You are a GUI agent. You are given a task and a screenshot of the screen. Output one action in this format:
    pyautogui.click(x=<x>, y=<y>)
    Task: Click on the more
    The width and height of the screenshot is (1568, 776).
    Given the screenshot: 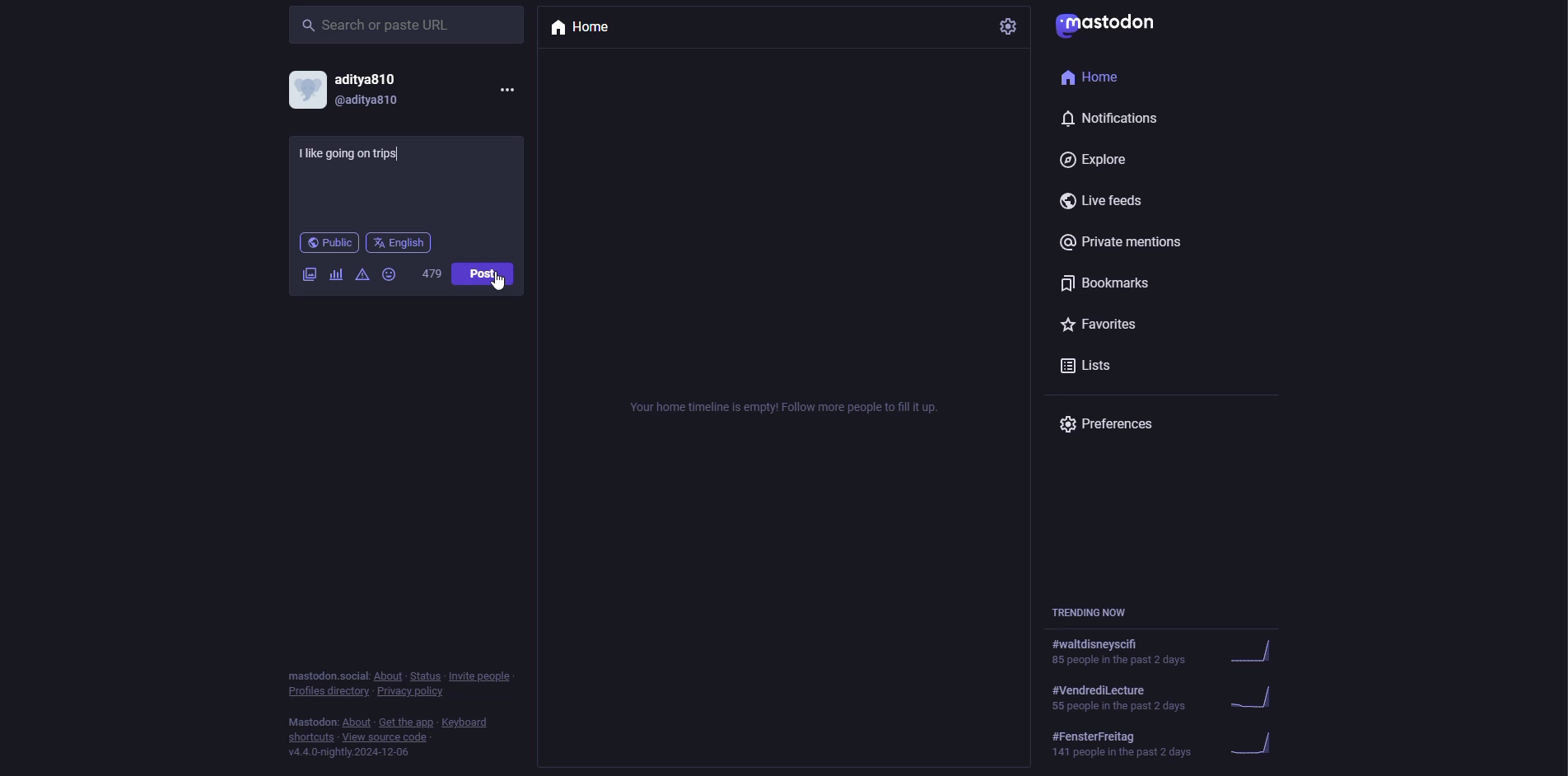 What is the action you would take?
    pyautogui.click(x=506, y=89)
    